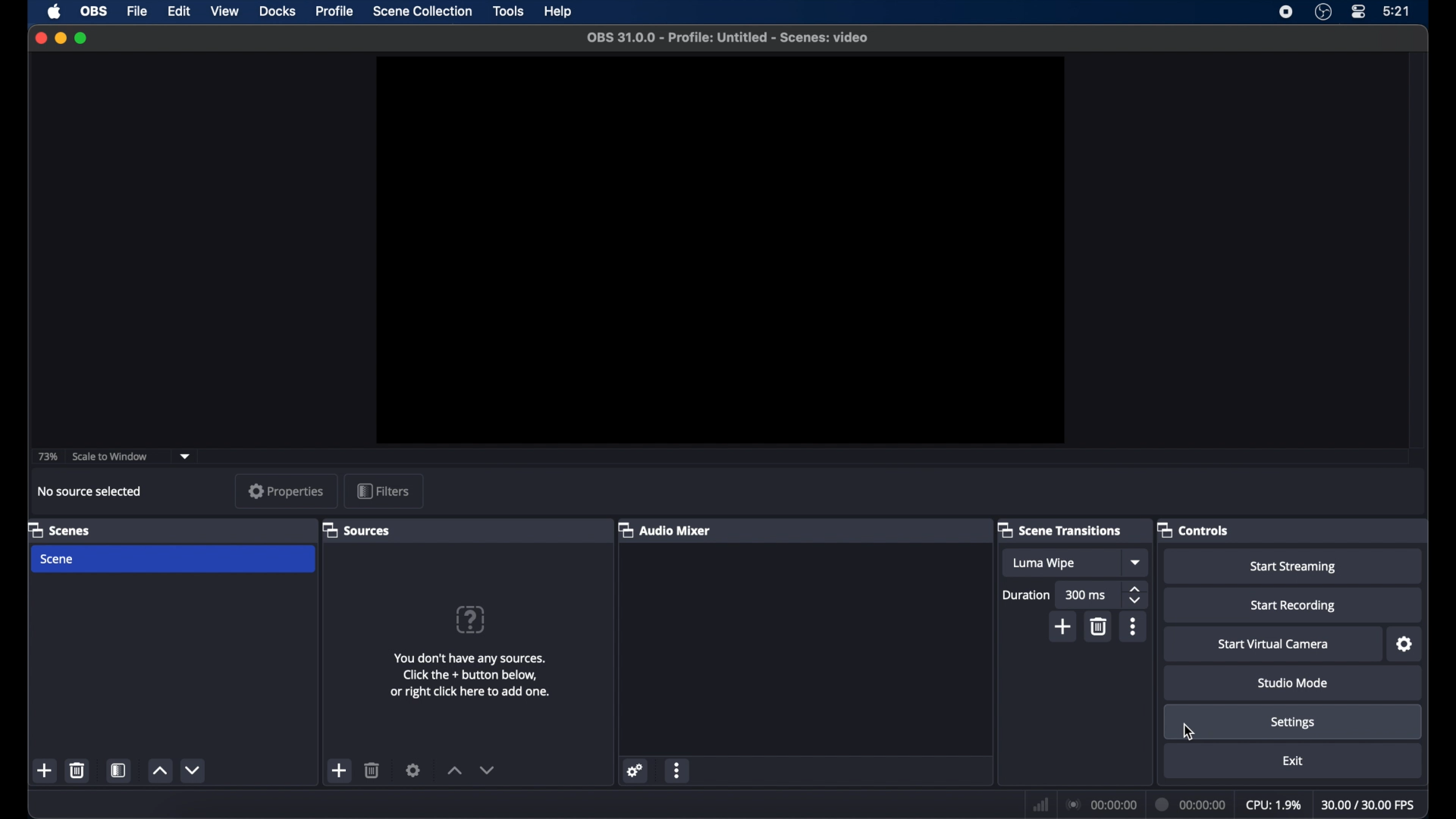 This screenshot has height=819, width=1456. What do you see at coordinates (178, 12) in the screenshot?
I see `edit` at bounding box center [178, 12].